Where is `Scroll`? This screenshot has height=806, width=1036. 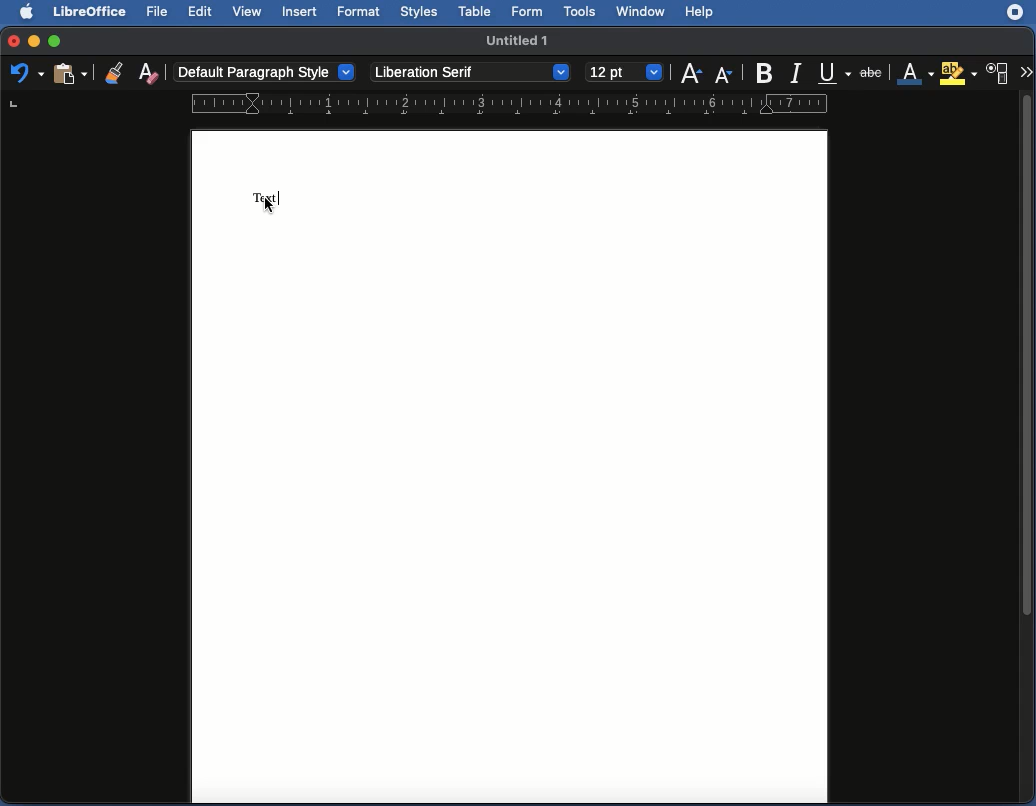
Scroll is located at coordinates (1028, 449).